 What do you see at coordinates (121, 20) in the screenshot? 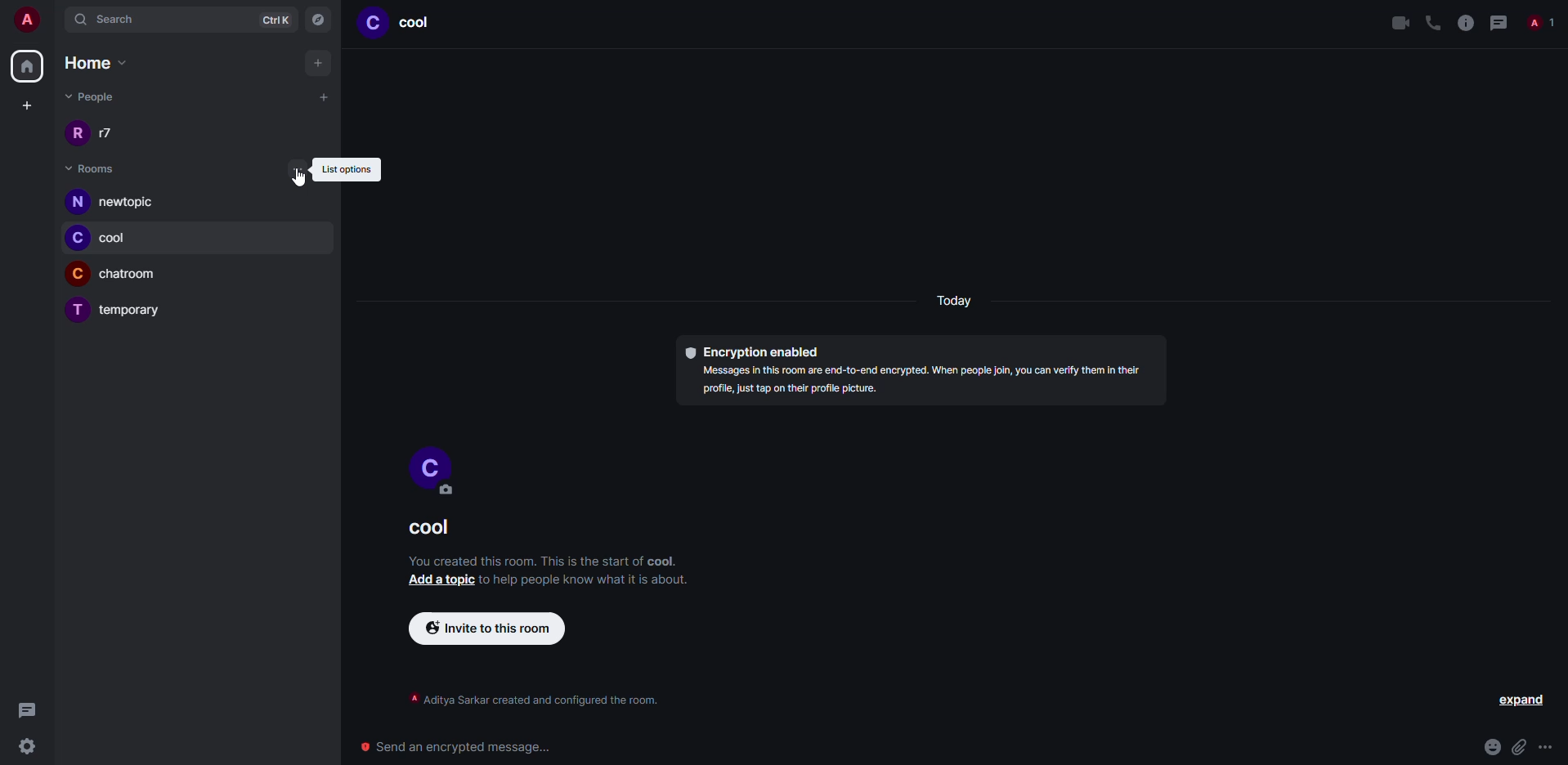
I see `search` at bounding box center [121, 20].